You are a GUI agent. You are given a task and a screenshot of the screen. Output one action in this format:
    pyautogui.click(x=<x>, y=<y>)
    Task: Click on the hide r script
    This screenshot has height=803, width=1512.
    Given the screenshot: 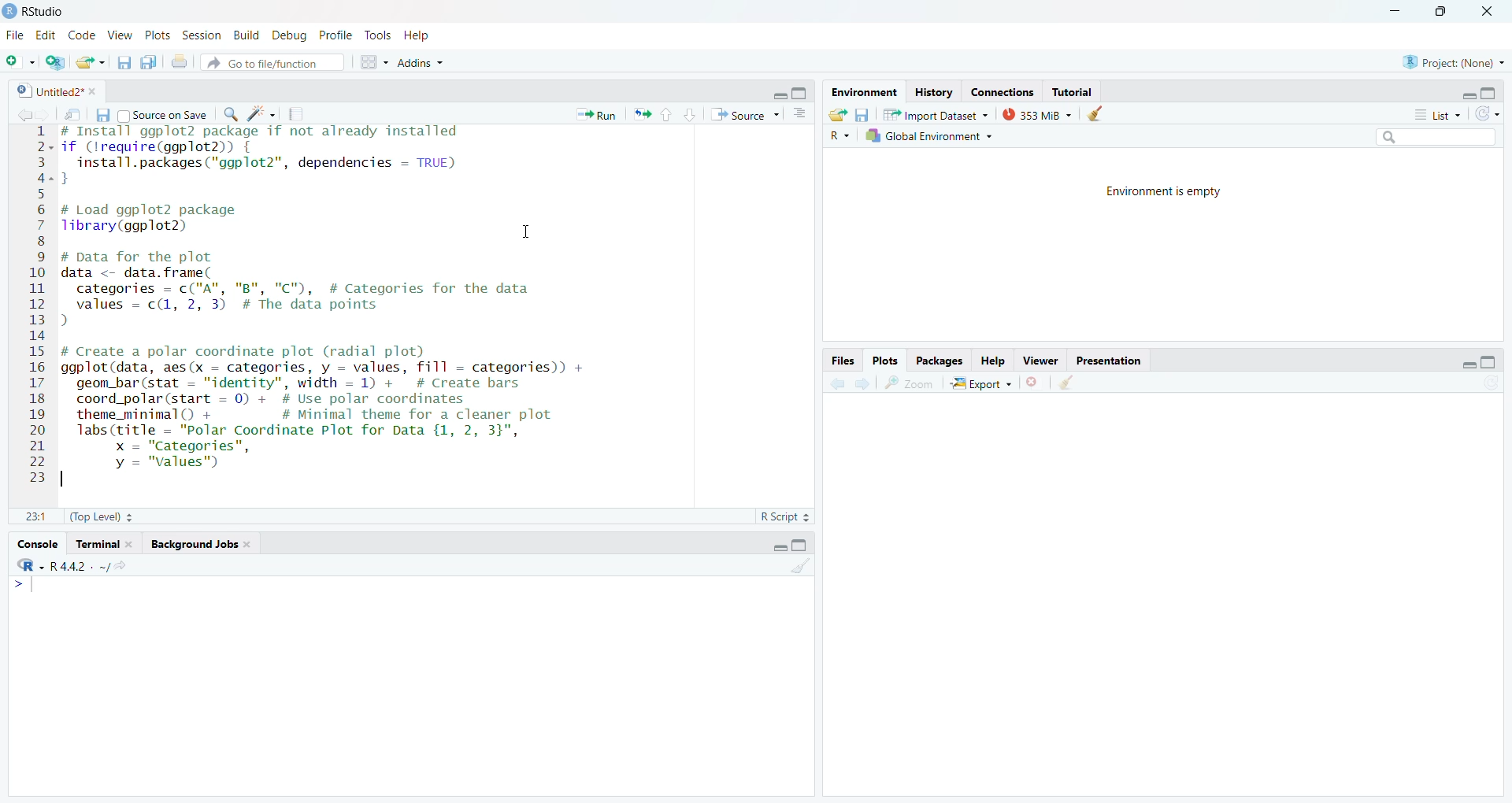 What is the action you would take?
    pyautogui.click(x=773, y=548)
    